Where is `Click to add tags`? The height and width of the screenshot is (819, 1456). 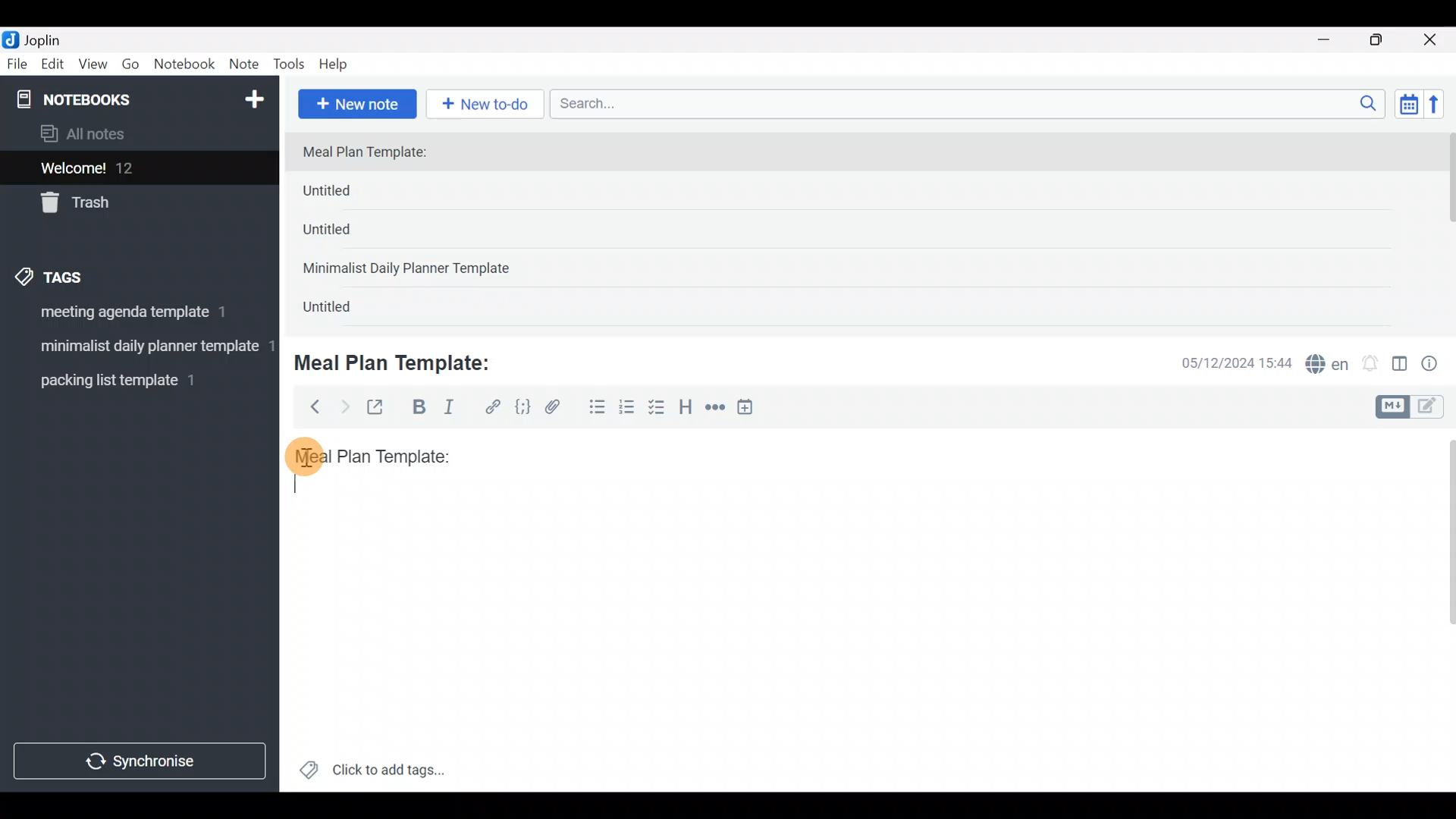
Click to add tags is located at coordinates (372, 775).